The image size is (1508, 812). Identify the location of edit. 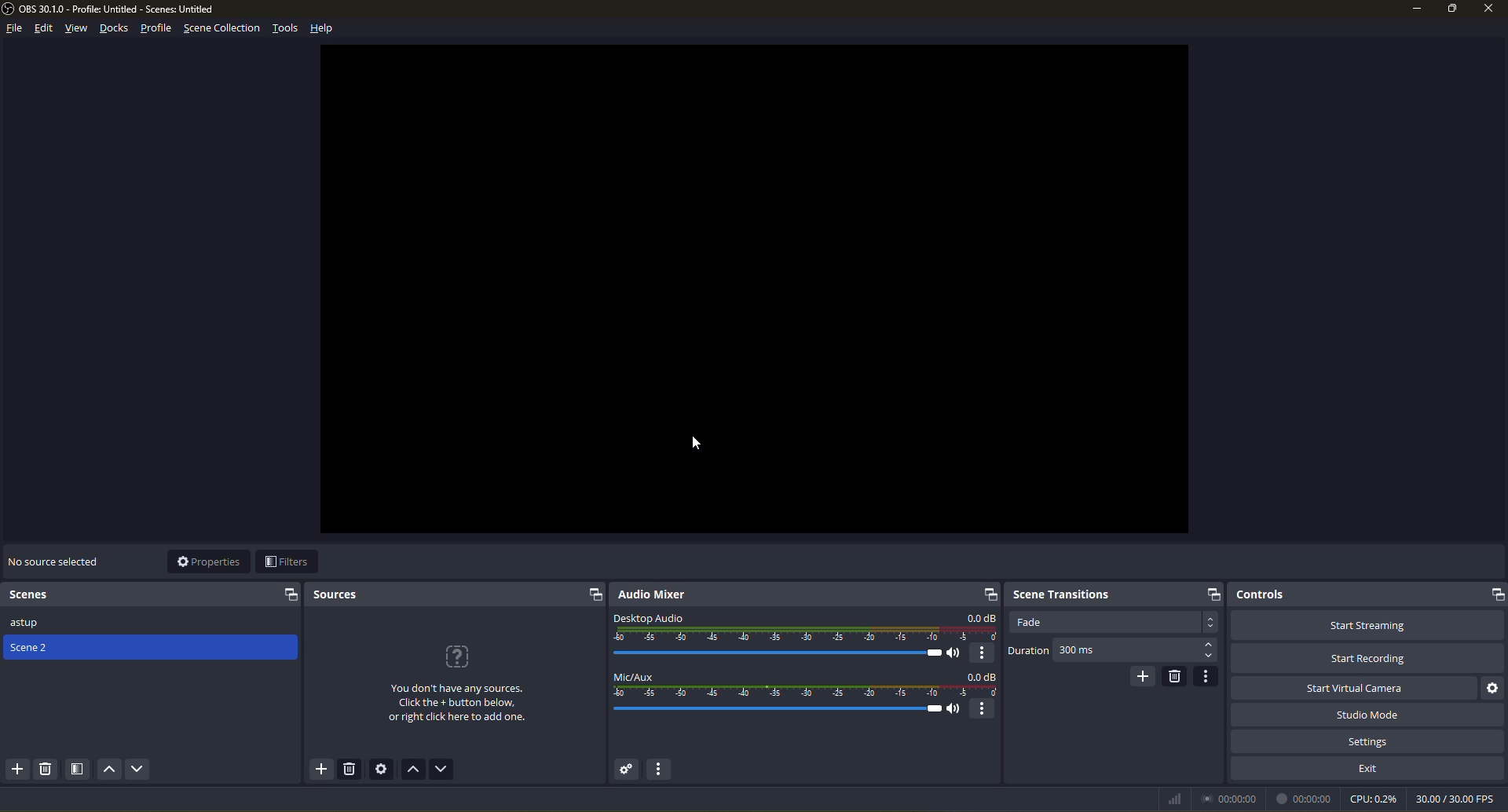
(44, 29).